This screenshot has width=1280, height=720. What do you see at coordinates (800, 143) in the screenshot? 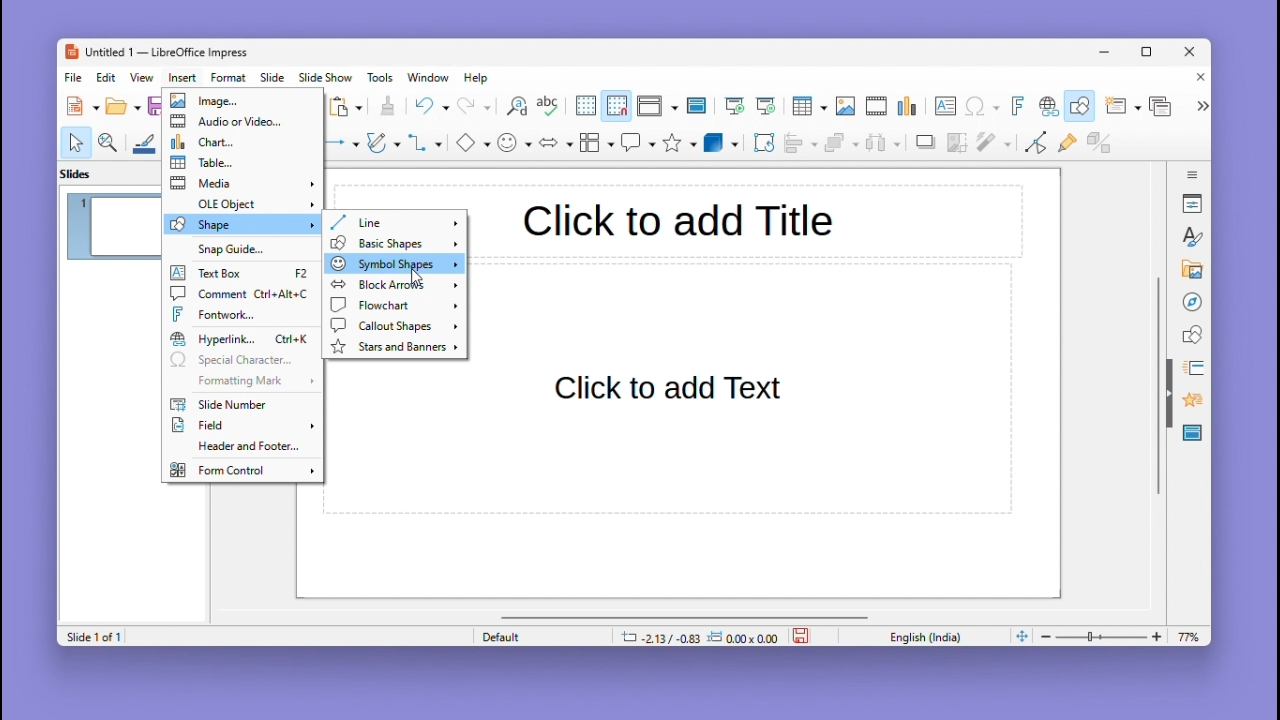
I see `Align` at bounding box center [800, 143].